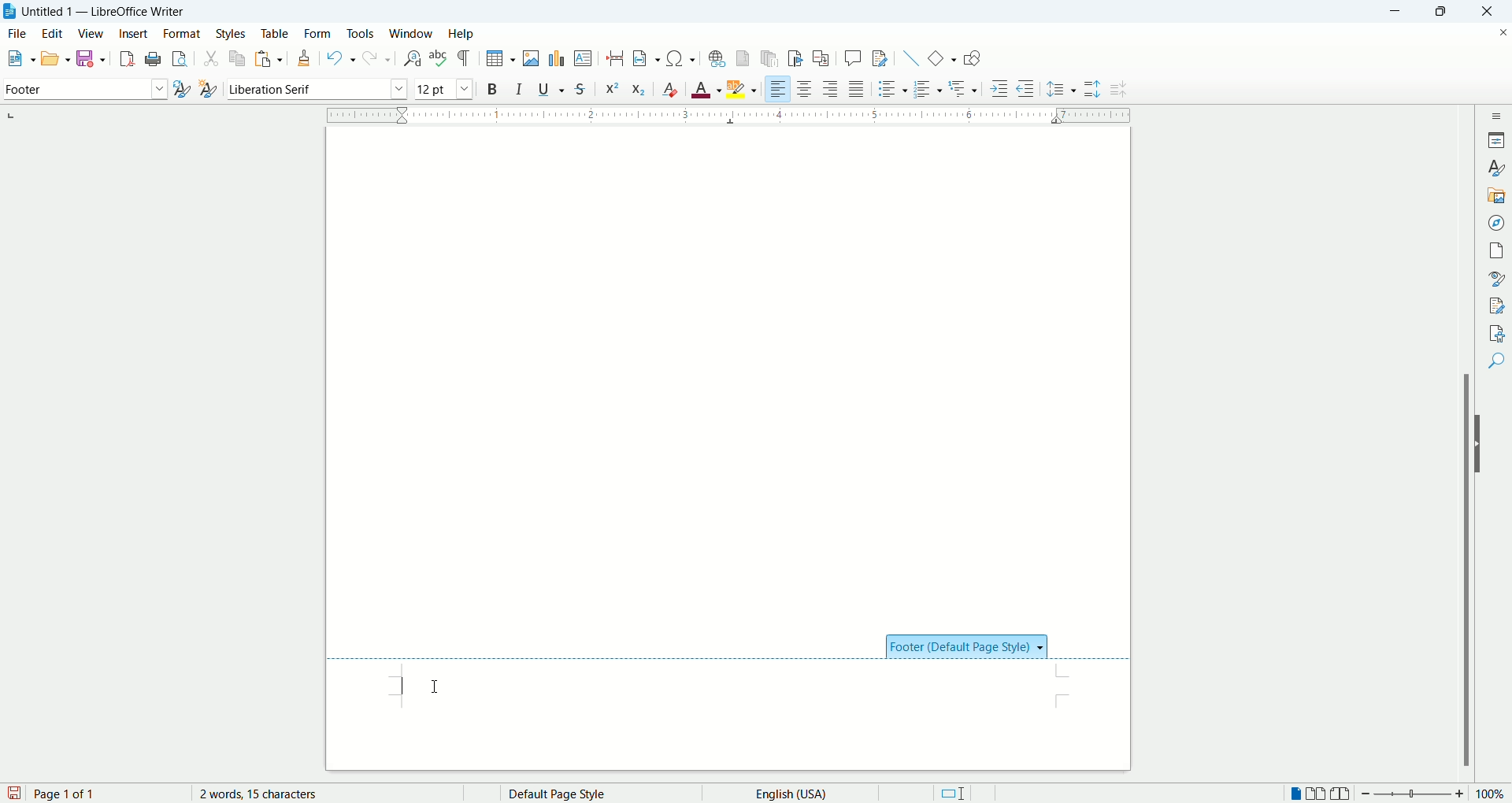  Describe the element at coordinates (1497, 194) in the screenshot. I see `gallery` at that location.